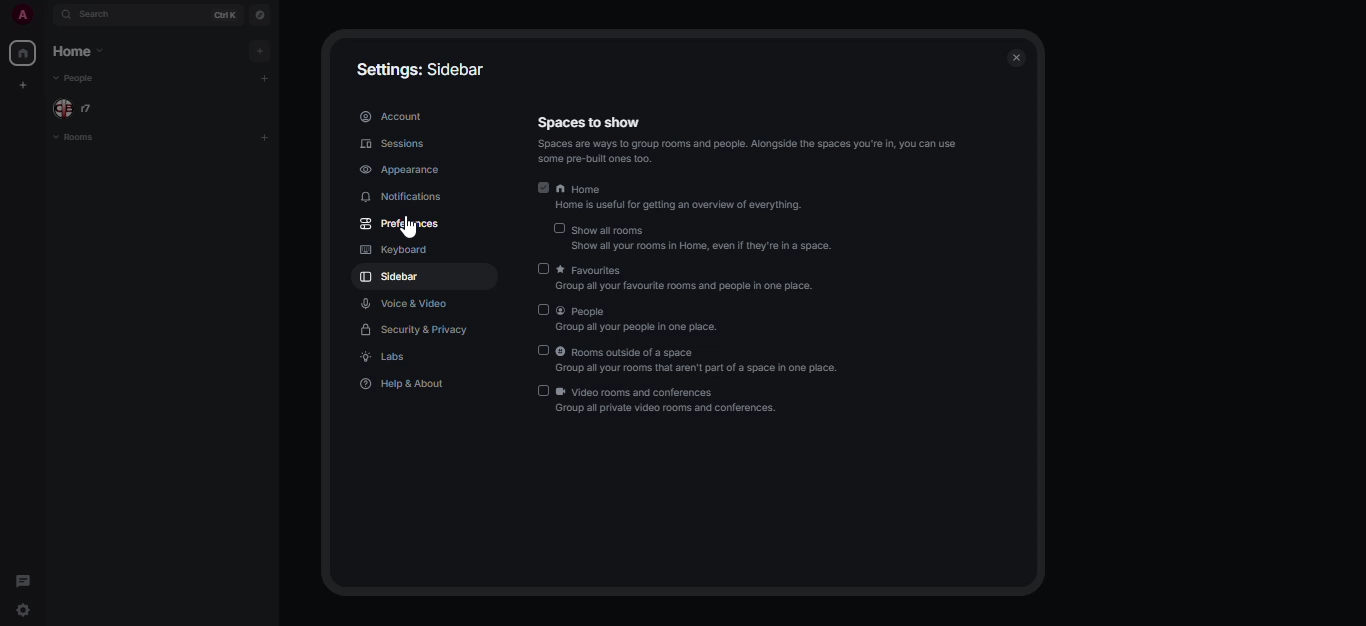 The width and height of the screenshot is (1366, 626). What do you see at coordinates (261, 51) in the screenshot?
I see `add` at bounding box center [261, 51].